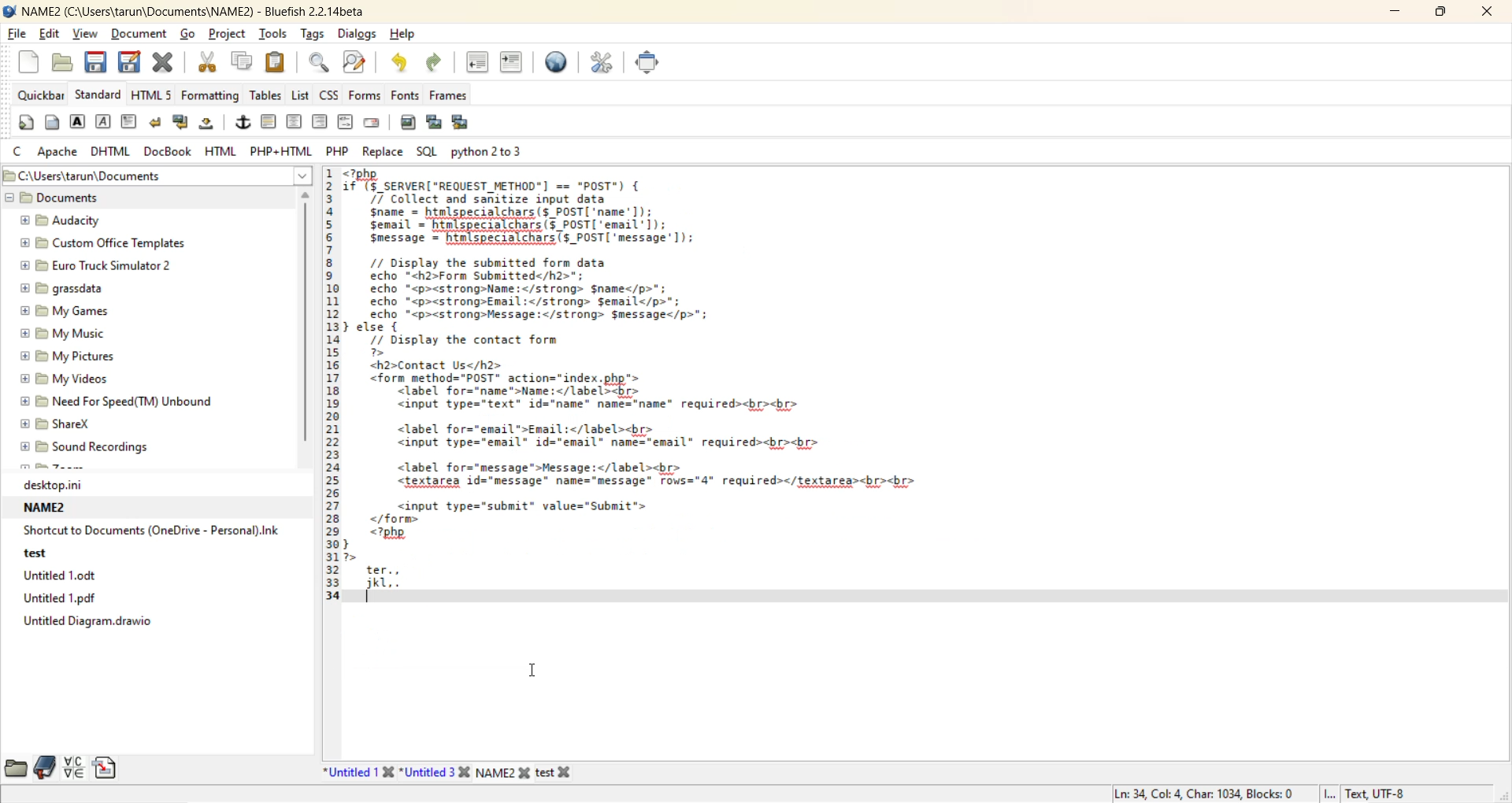 This screenshot has height=803, width=1512. Describe the element at coordinates (77, 378) in the screenshot. I see `My Videos` at that location.